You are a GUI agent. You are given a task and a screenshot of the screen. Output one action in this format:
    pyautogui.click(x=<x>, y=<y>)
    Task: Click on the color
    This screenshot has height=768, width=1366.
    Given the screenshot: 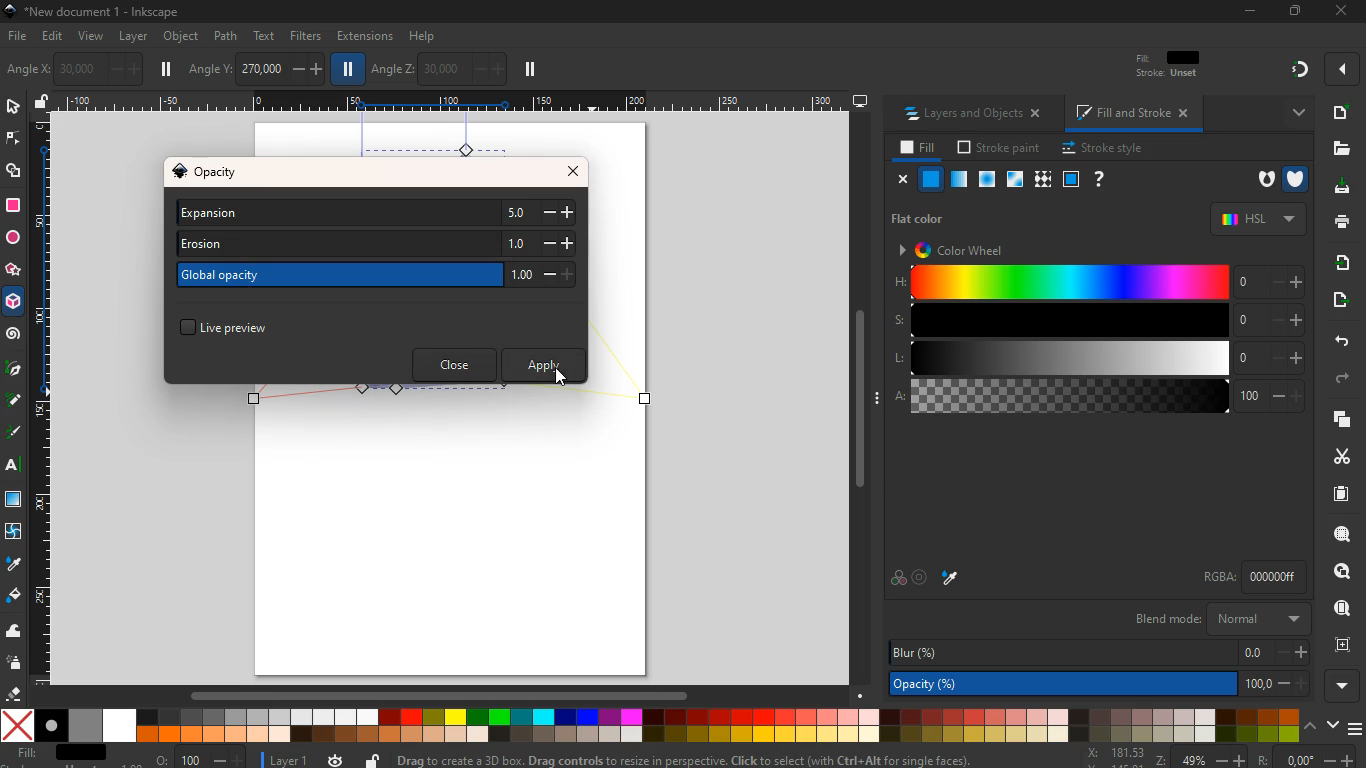 What is the action you would take?
    pyautogui.click(x=649, y=726)
    